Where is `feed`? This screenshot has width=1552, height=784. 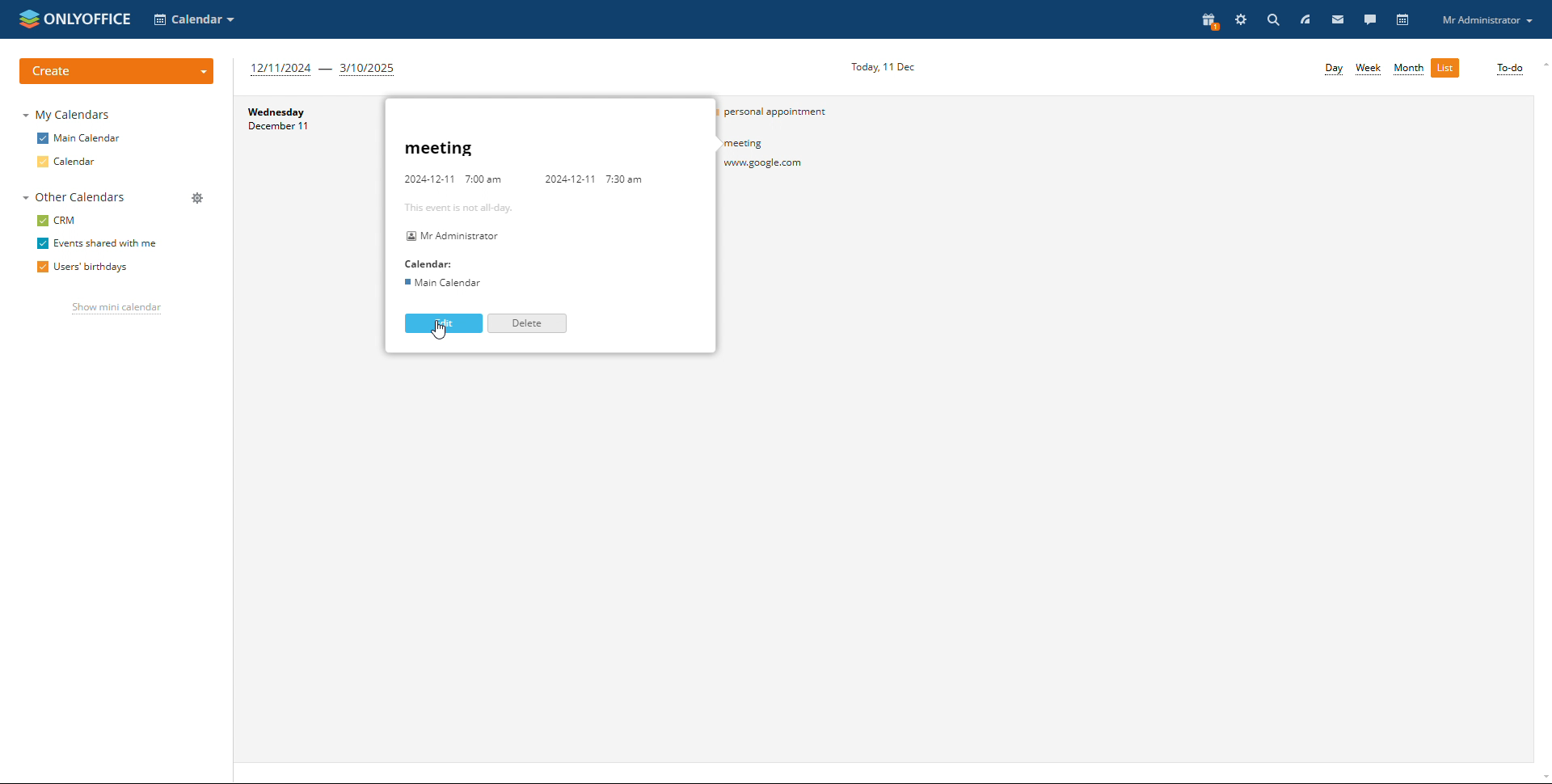
feed is located at coordinates (1306, 19).